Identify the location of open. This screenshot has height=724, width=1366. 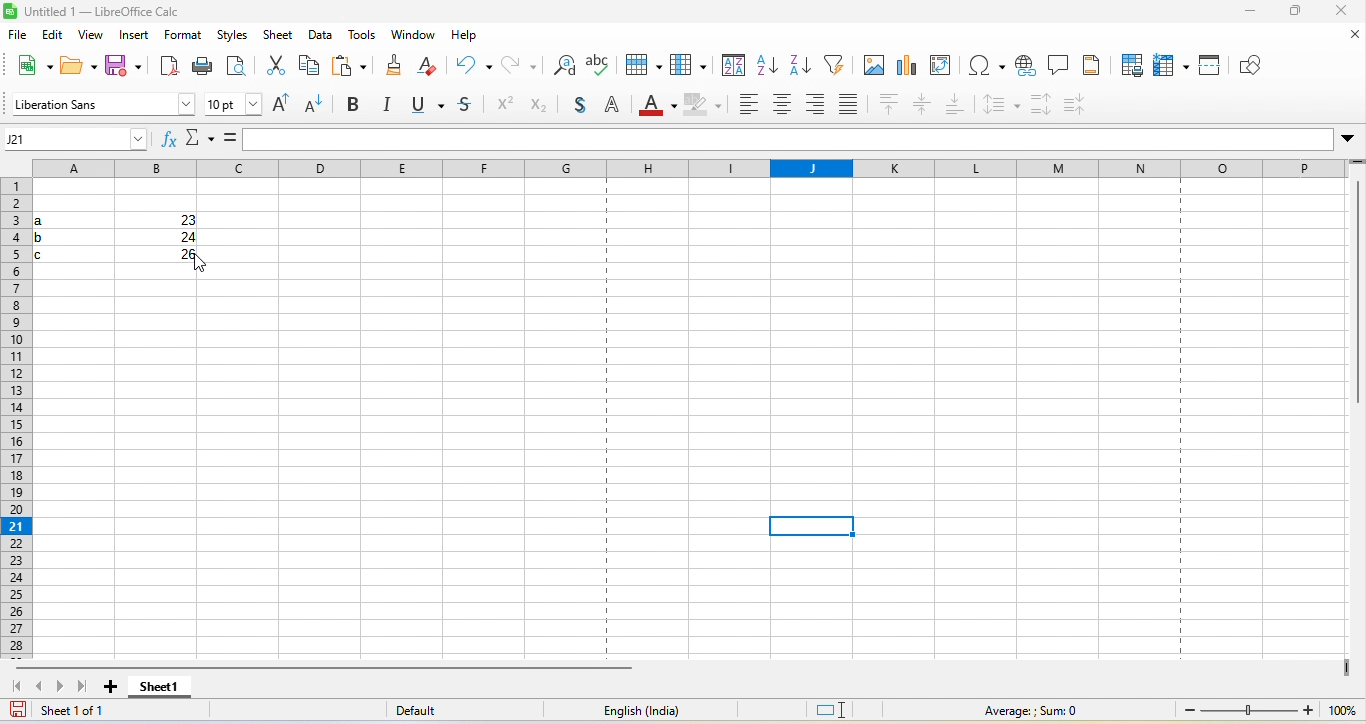
(77, 67).